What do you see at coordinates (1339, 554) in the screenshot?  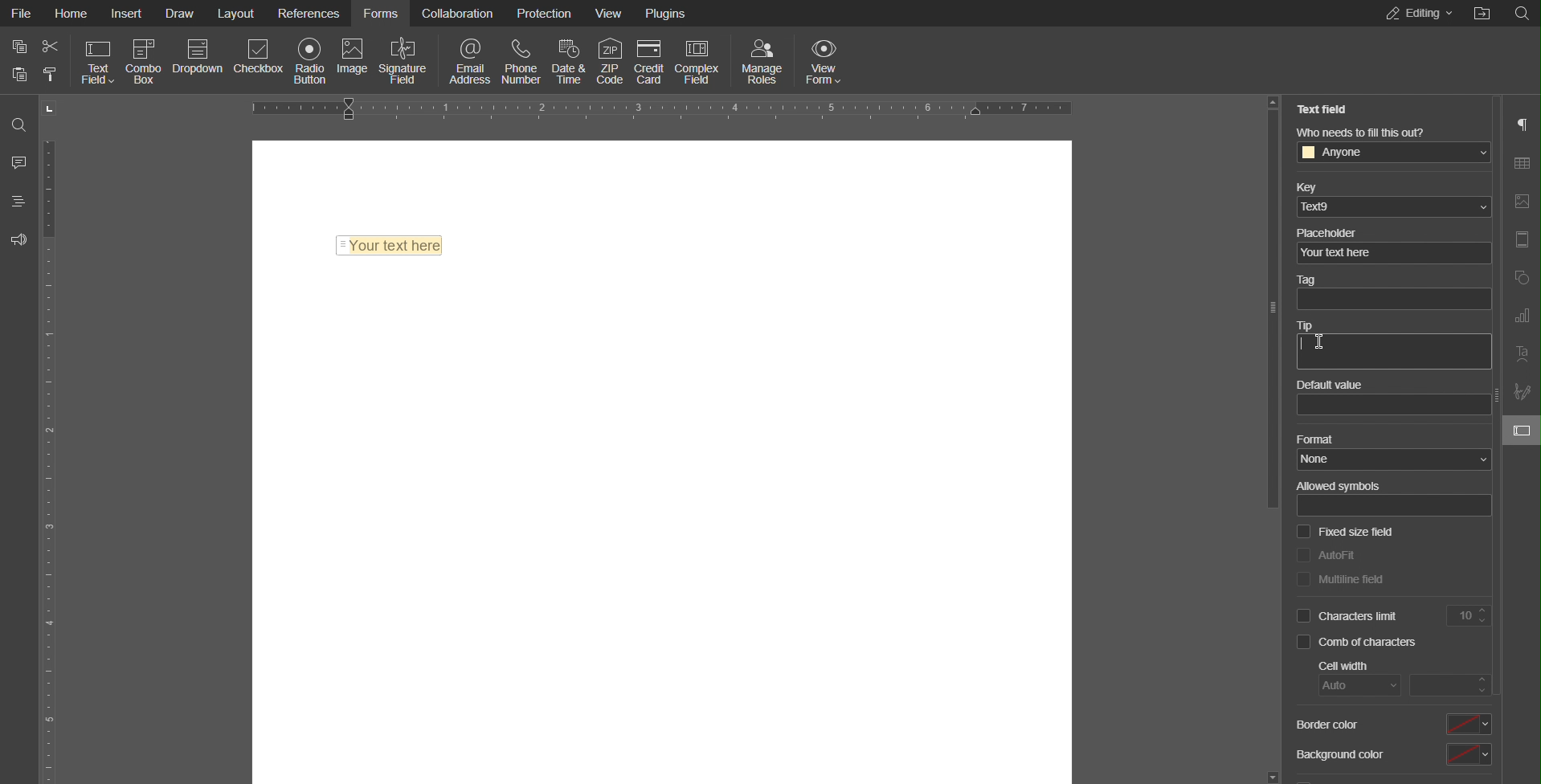 I see `AutoFit` at bounding box center [1339, 554].